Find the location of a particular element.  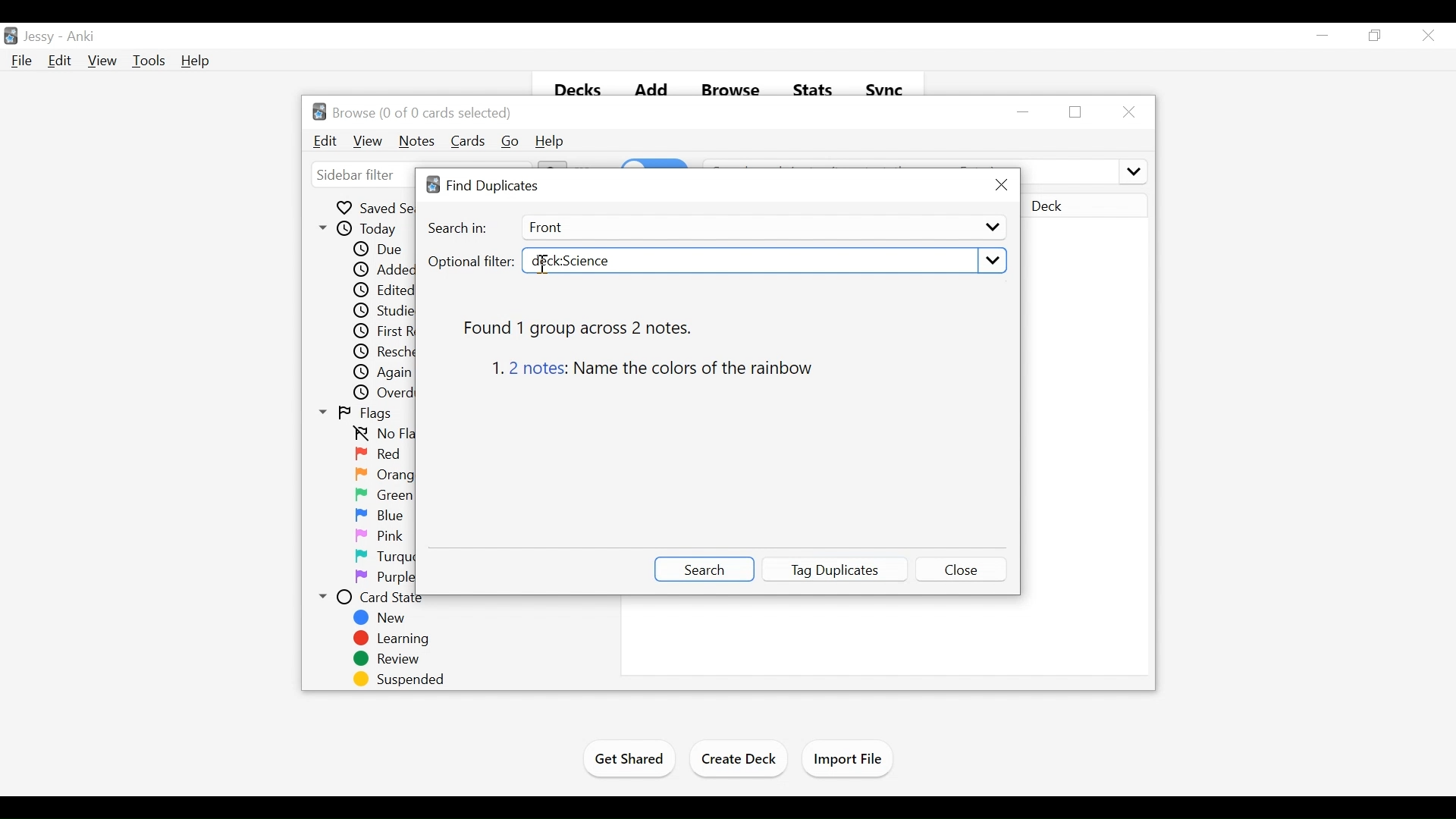

Browse (number of selected cards) is located at coordinates (413, 111).